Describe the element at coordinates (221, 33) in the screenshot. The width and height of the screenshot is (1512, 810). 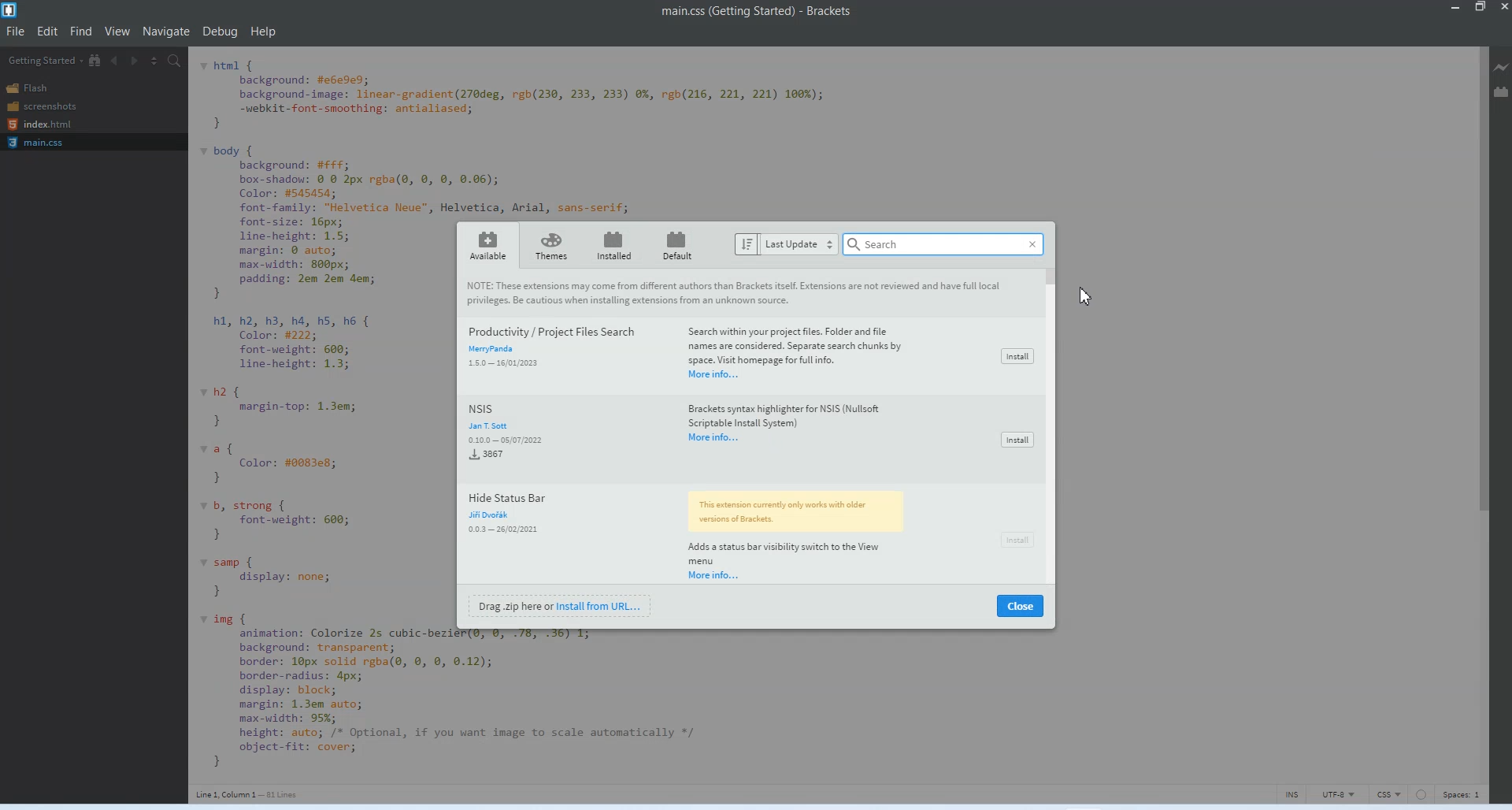
I see `Debug` at that location.